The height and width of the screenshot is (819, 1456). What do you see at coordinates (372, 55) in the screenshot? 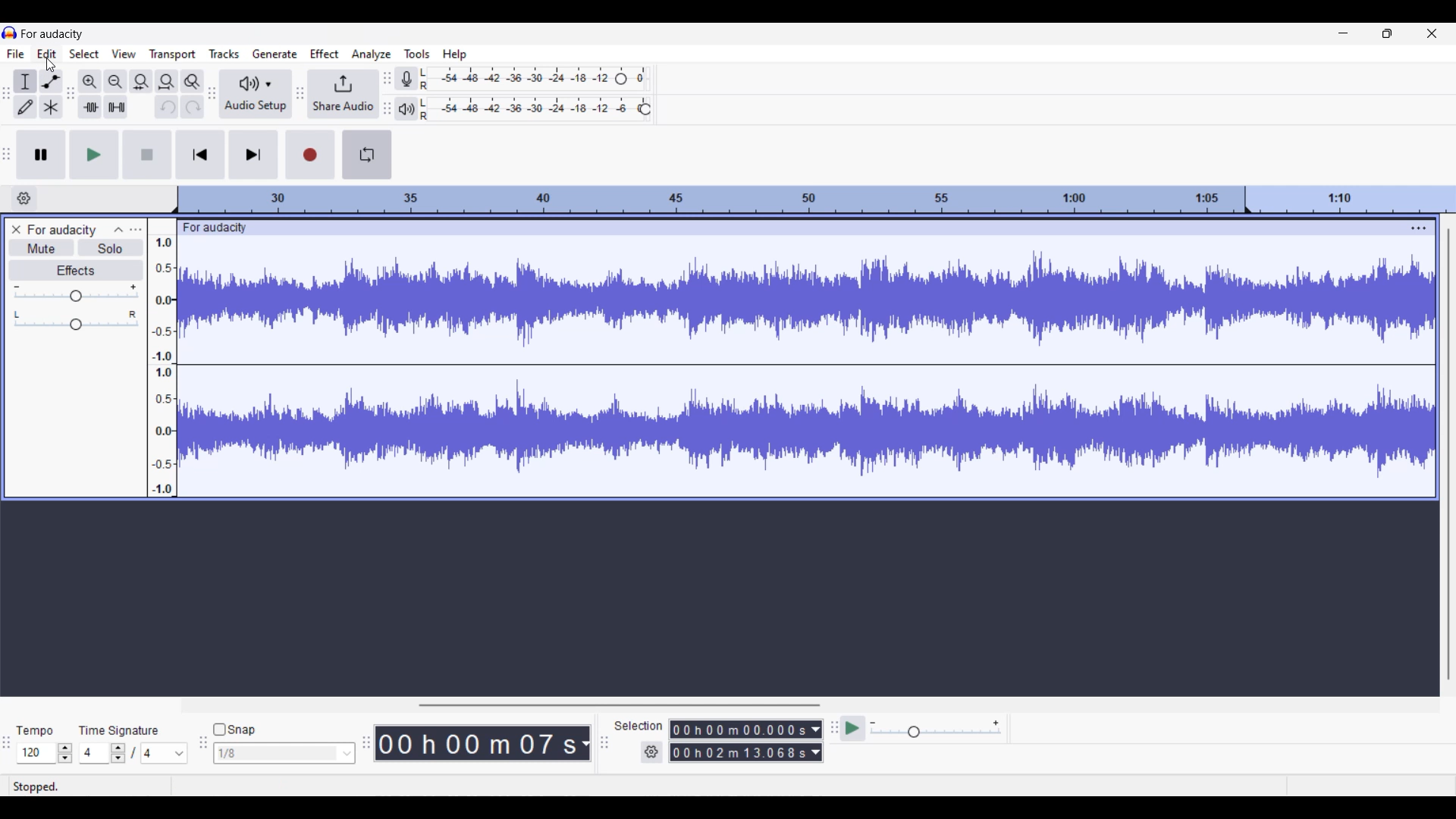
I see `Analyze menu` at bounding box center [372, 55].